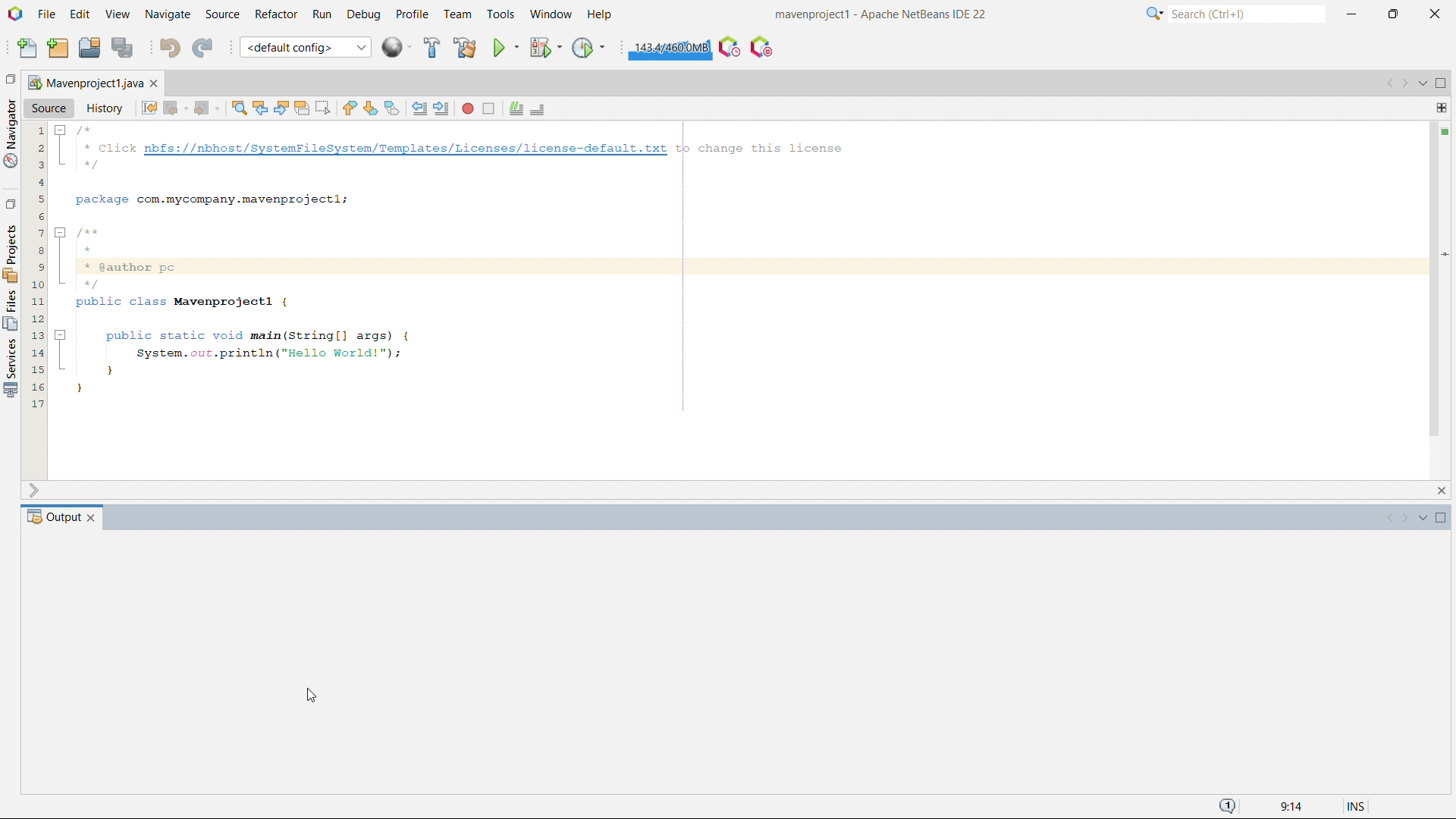 The image size is (1456, 819). What do you see at coordinates (1247, 14) in the screenshot?
I see `searchbox` at bounding box center [1247, 14].